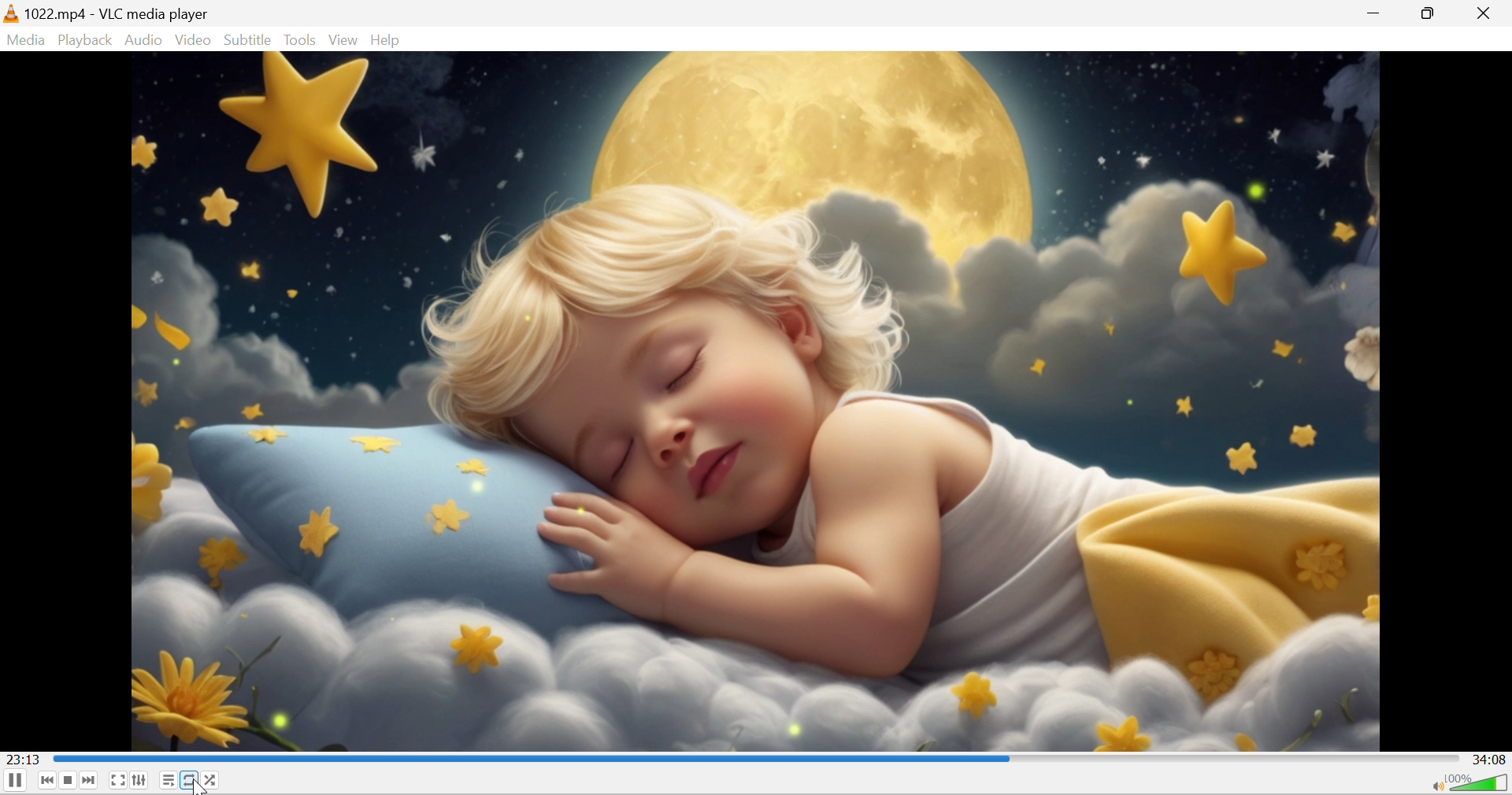 The image size is (1512, 795). What do you see at coordinates (10, 13) in the screenshot?
I see `vlc media player logo` at bounding box center [10, 13].